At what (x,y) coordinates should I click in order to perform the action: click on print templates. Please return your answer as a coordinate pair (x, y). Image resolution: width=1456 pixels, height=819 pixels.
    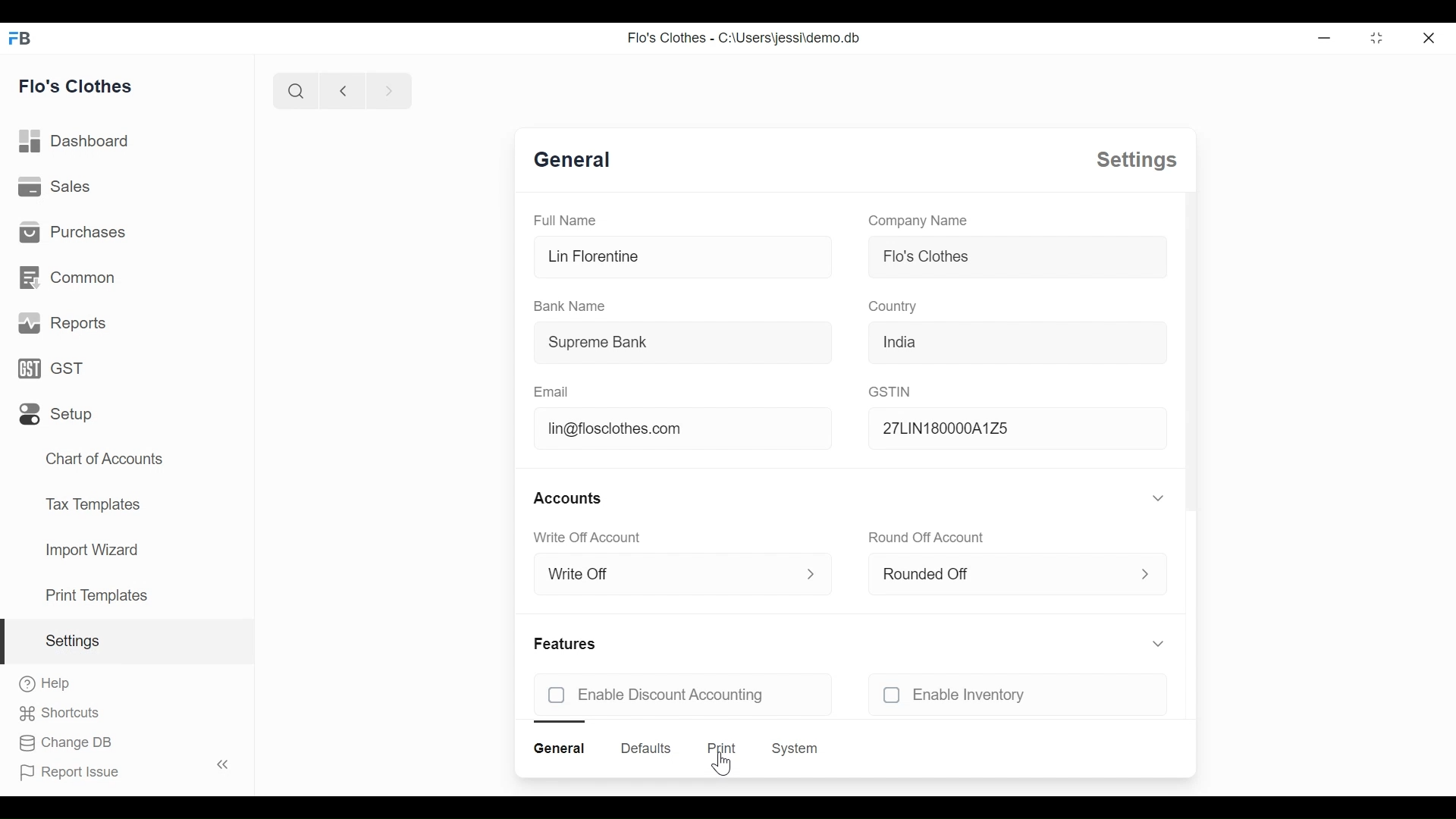
    Looking at the image, I should click on (97, 595).